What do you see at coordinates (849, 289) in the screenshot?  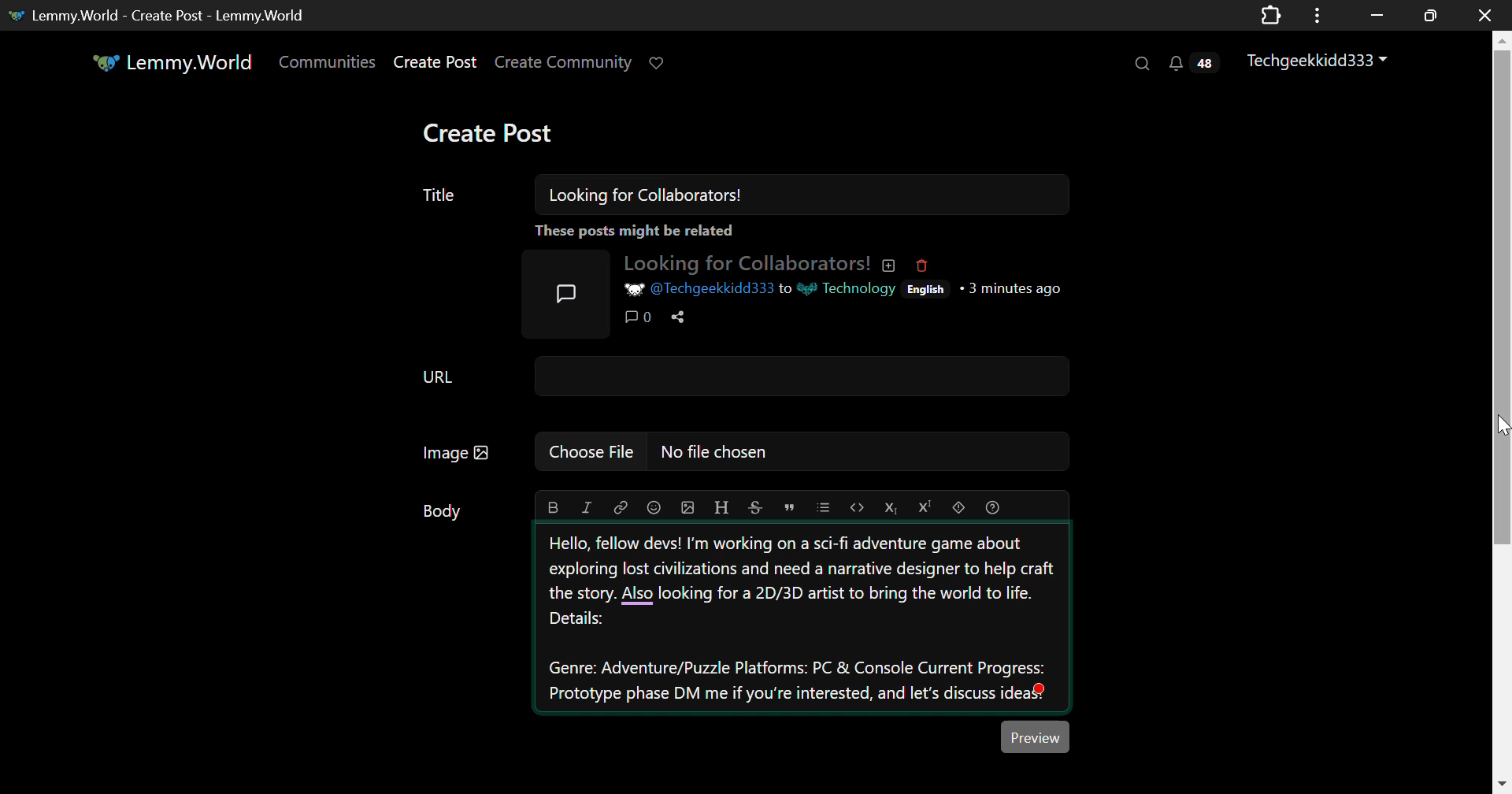 I see `Technology` at bounding box center [849, 289].